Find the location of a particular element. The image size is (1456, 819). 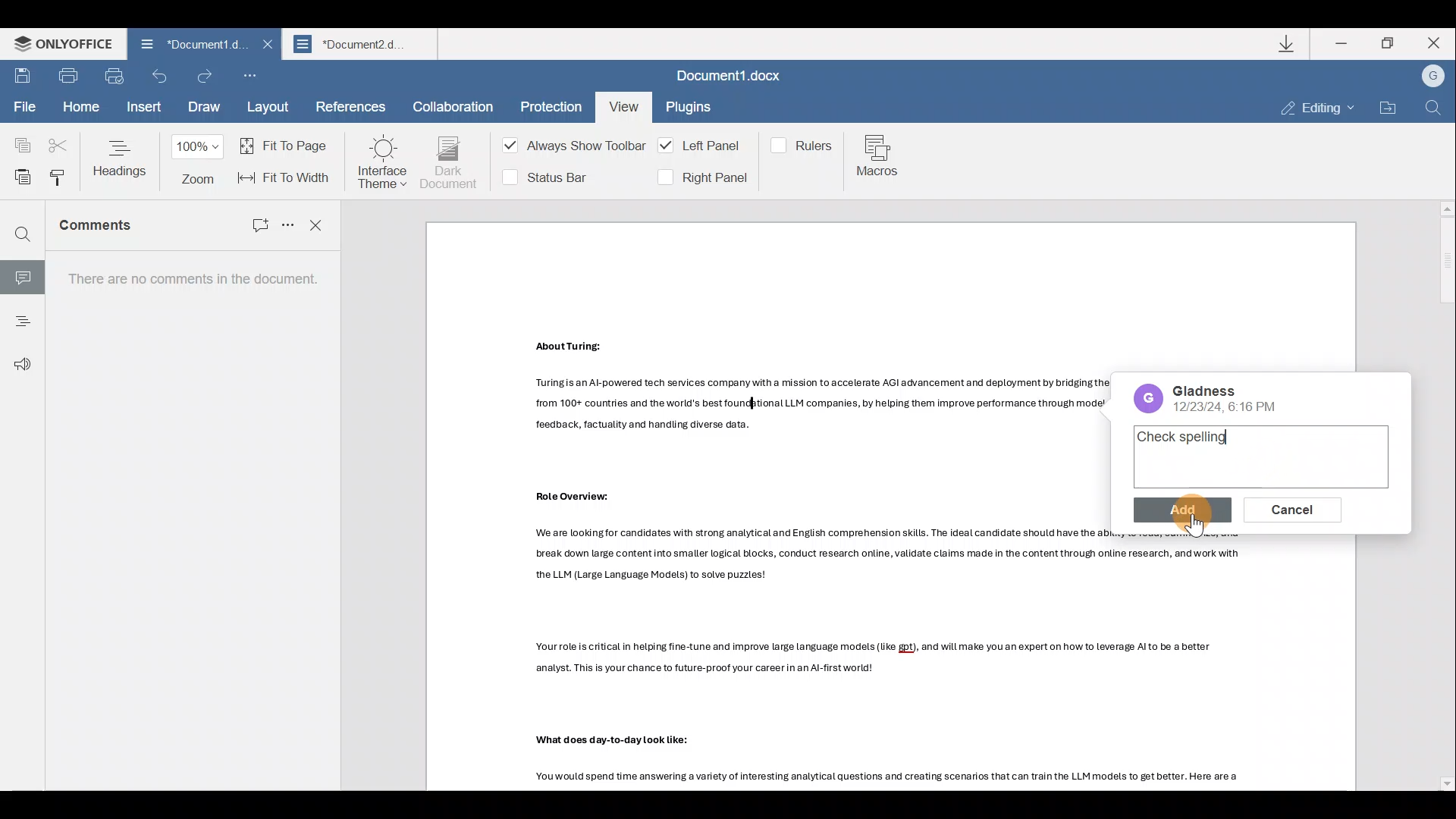

Status bar is located at coordinates (551, 176).